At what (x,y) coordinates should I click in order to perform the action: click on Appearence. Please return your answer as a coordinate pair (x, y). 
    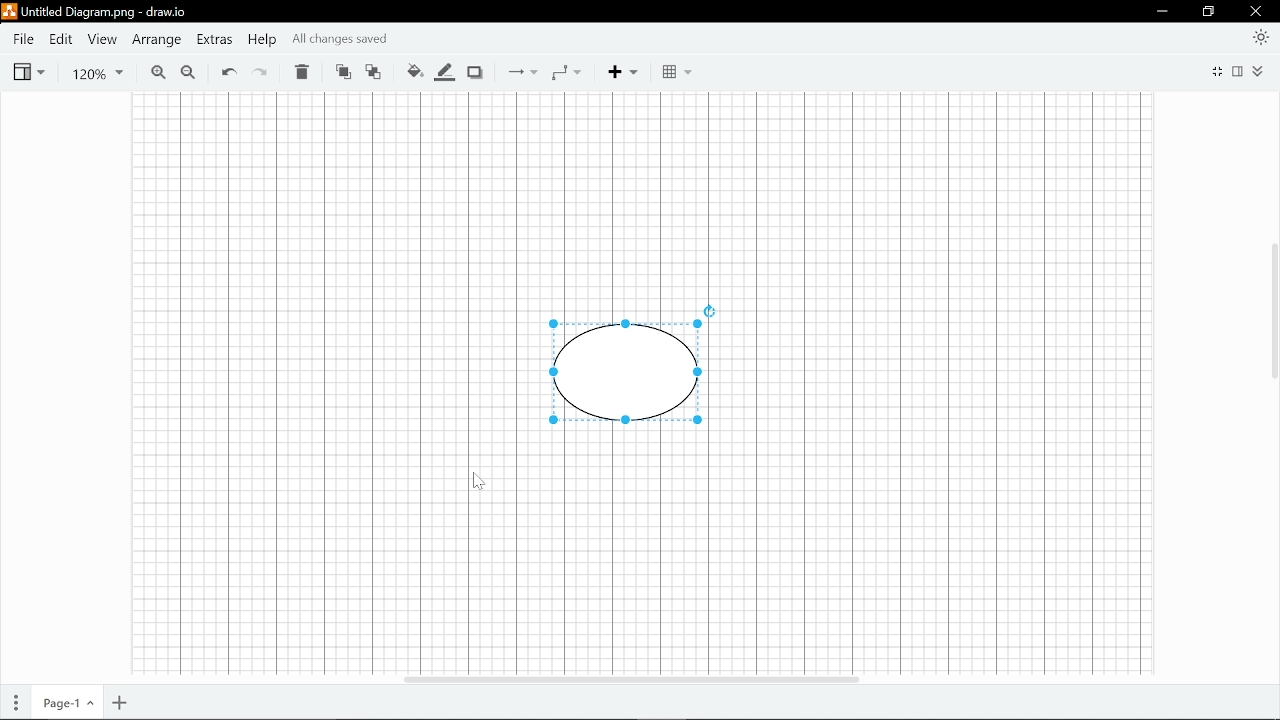
    Looking at the image, I should click on (1261, 38).